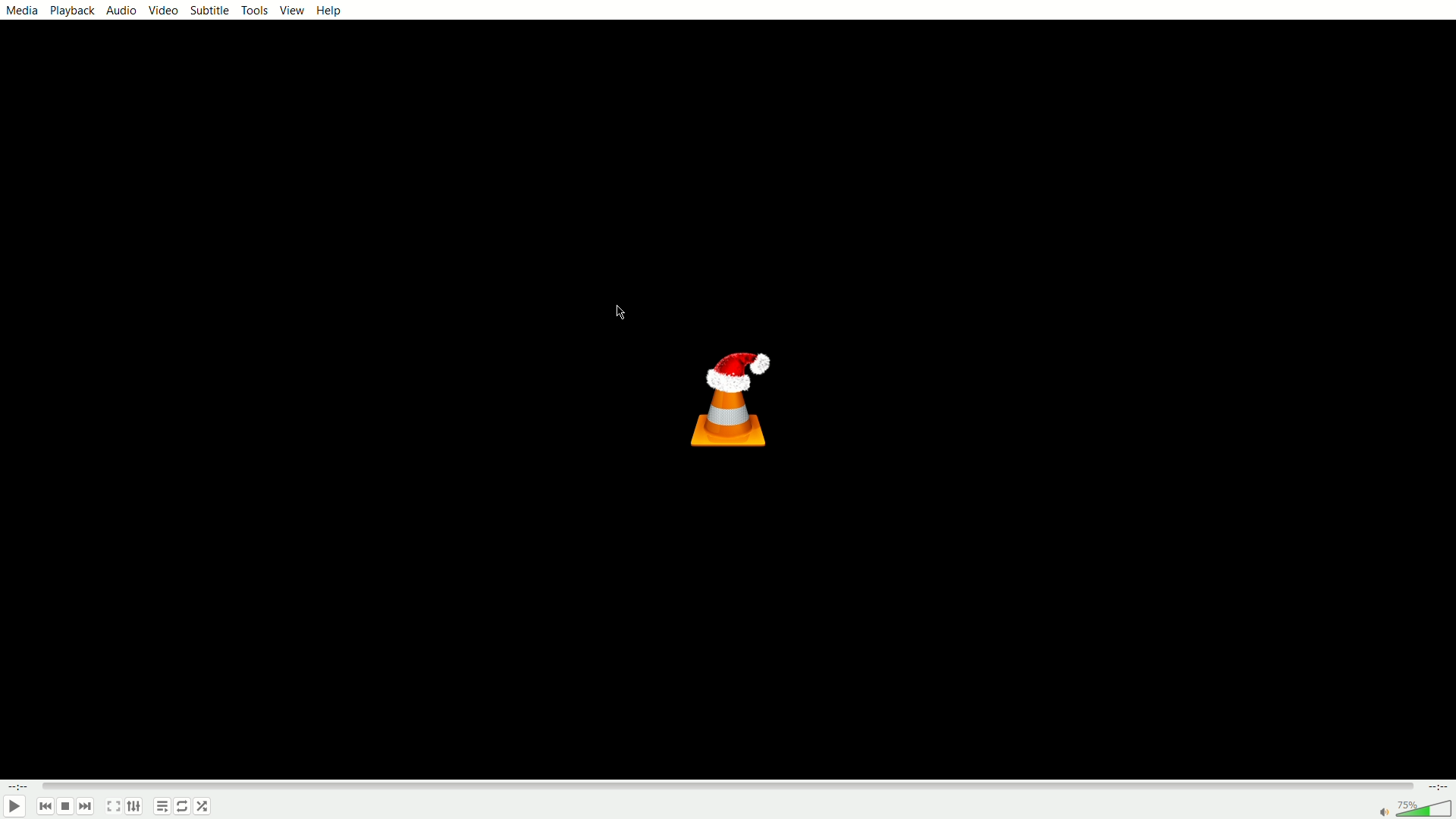 Image resolution: width=1456 pixels, height=819 pixels. What do you see at coordinates (183, 806) in the screenshot?
I see `loop` at bounding box center [183, 806].